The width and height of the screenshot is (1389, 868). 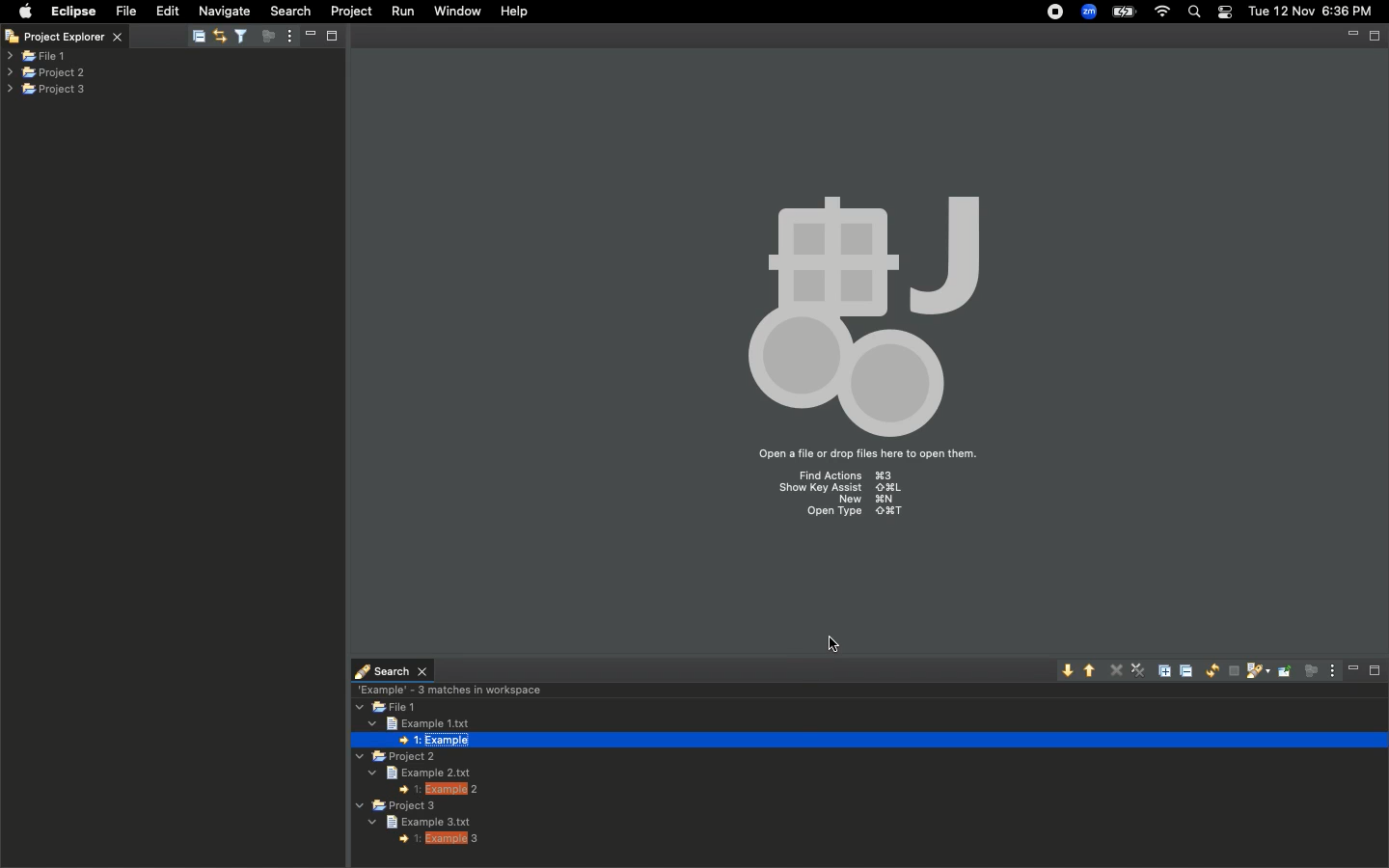 I want to click on Eclipse, so click(x=72, y=12).